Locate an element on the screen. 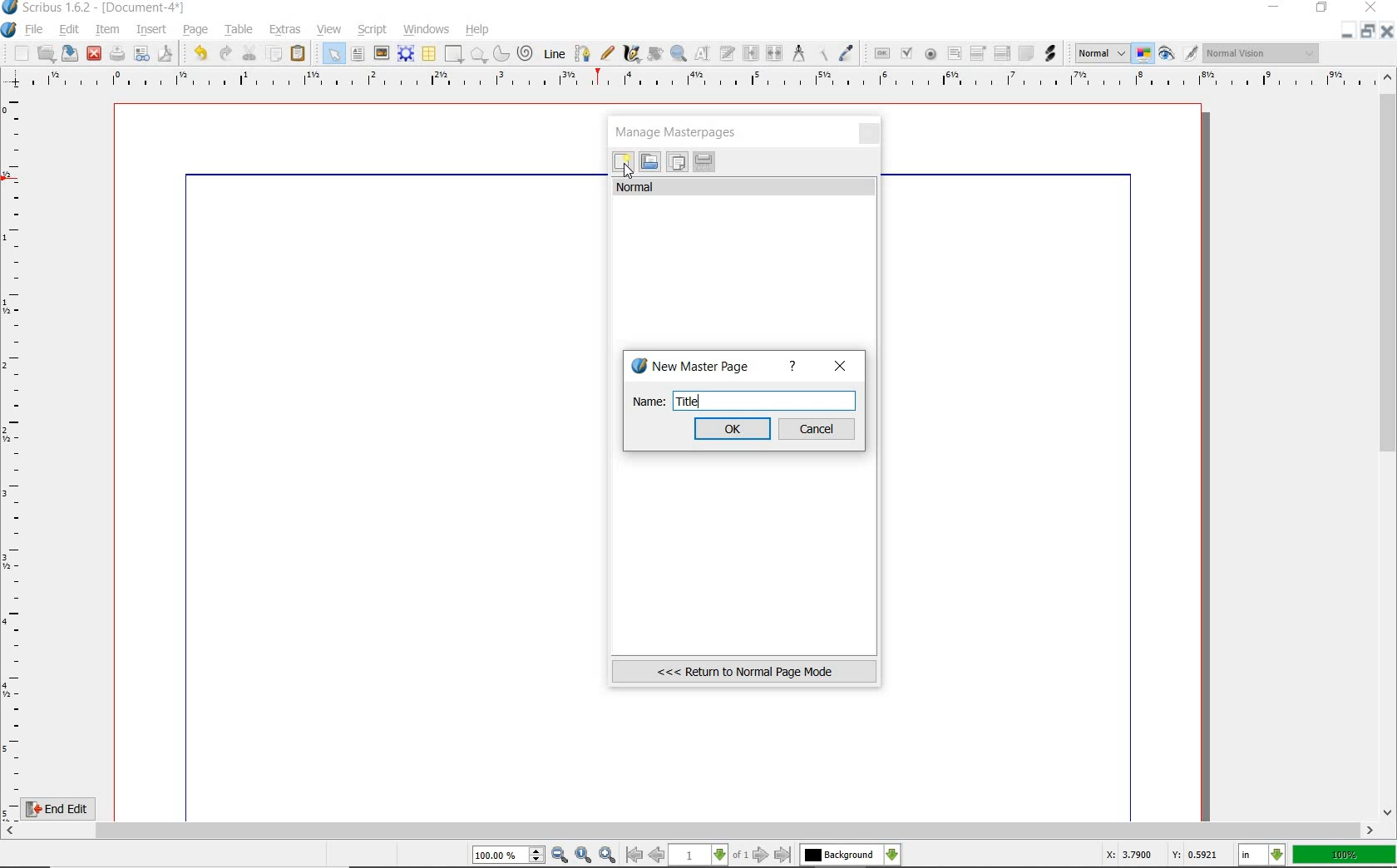  Bezier curve is located at coordinates (580, 53).